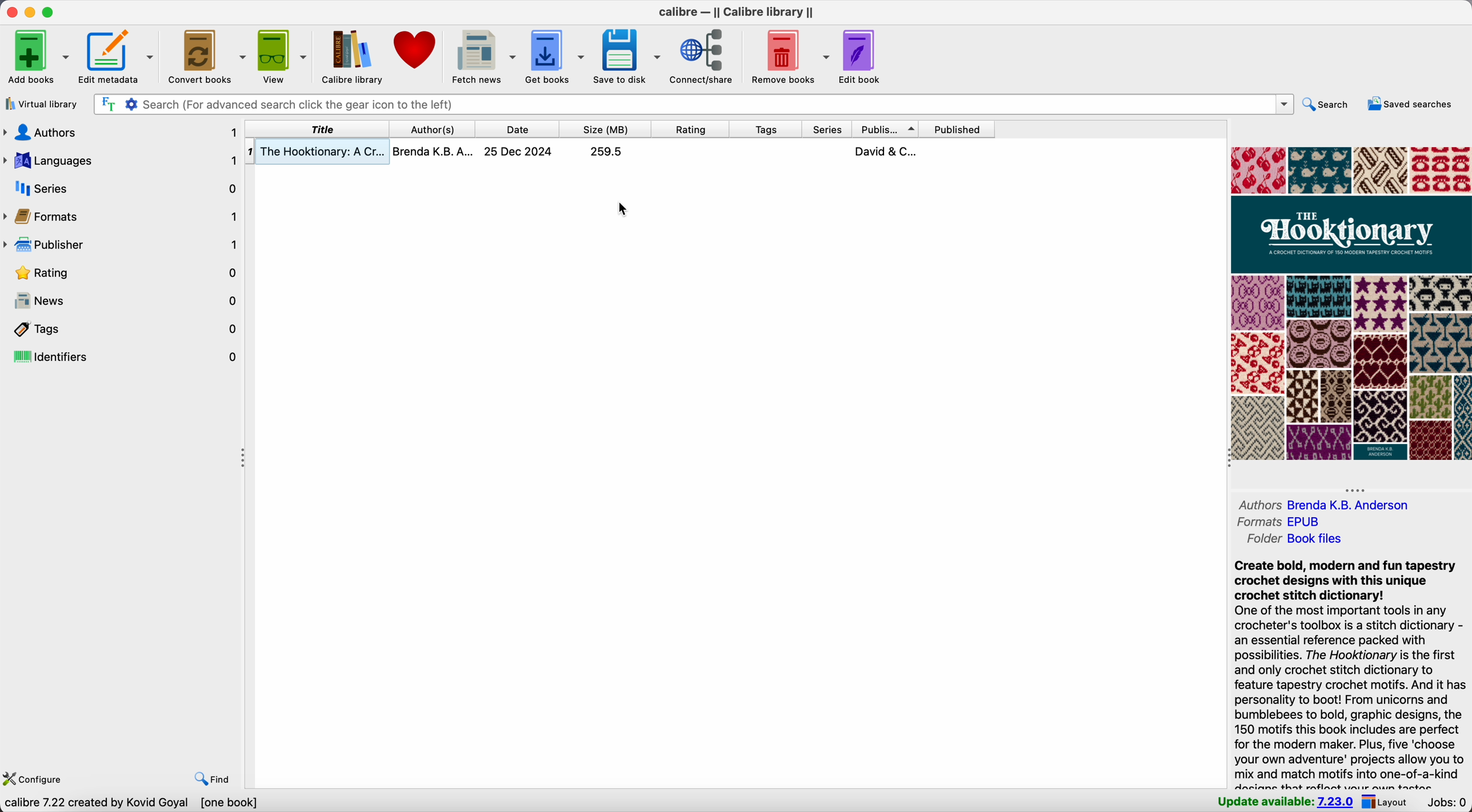 Image resolution: width=1472 pixels, height=812 pixels. Describe the element at coordinates (315, 129) in the screenshot. I see `Title` at that location.